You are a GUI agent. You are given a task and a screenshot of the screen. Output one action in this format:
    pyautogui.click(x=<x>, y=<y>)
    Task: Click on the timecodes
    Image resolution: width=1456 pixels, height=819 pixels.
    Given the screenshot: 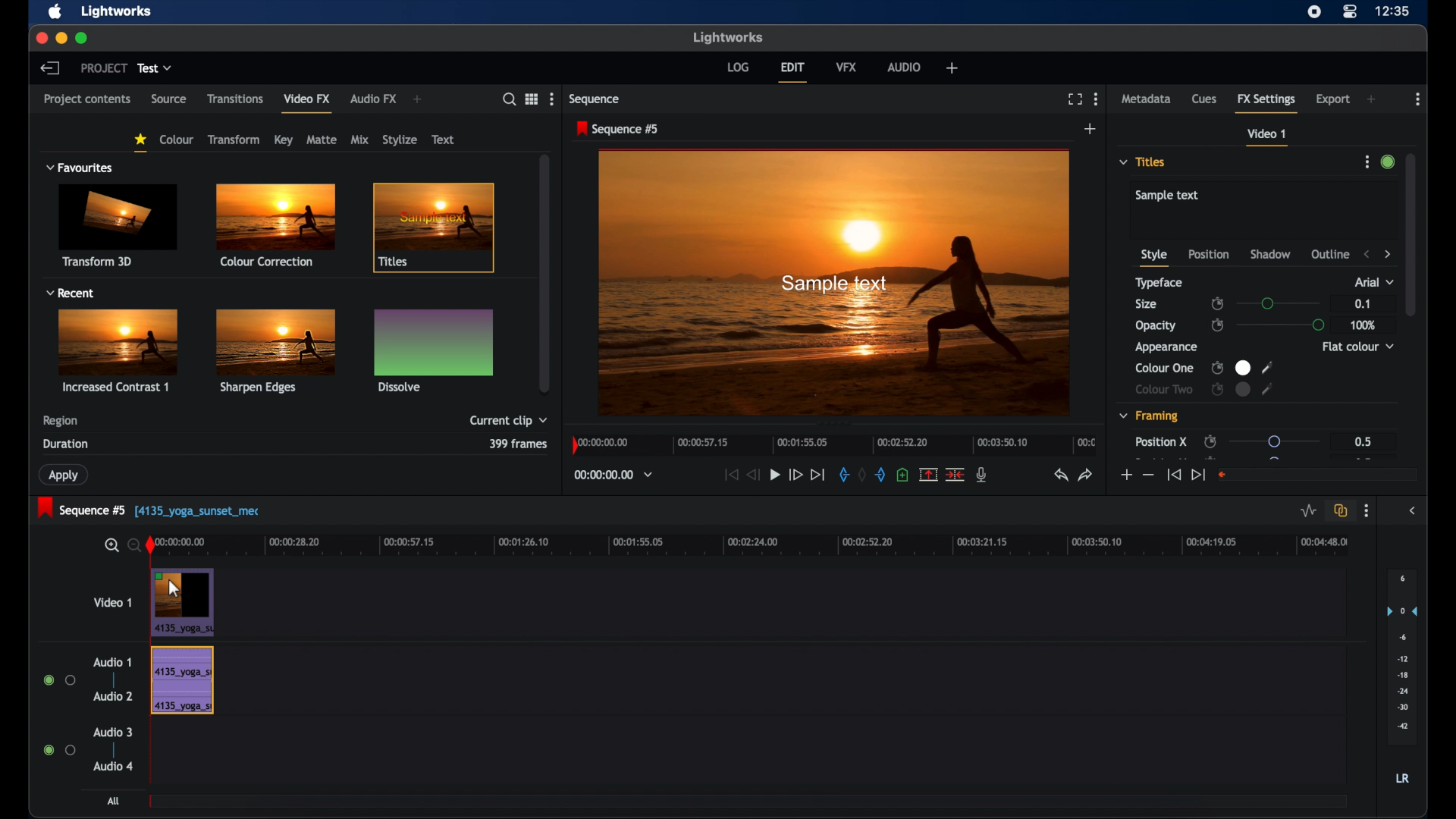 What is the action you would take?
    pyautogui.click(x=611, y=475)
    